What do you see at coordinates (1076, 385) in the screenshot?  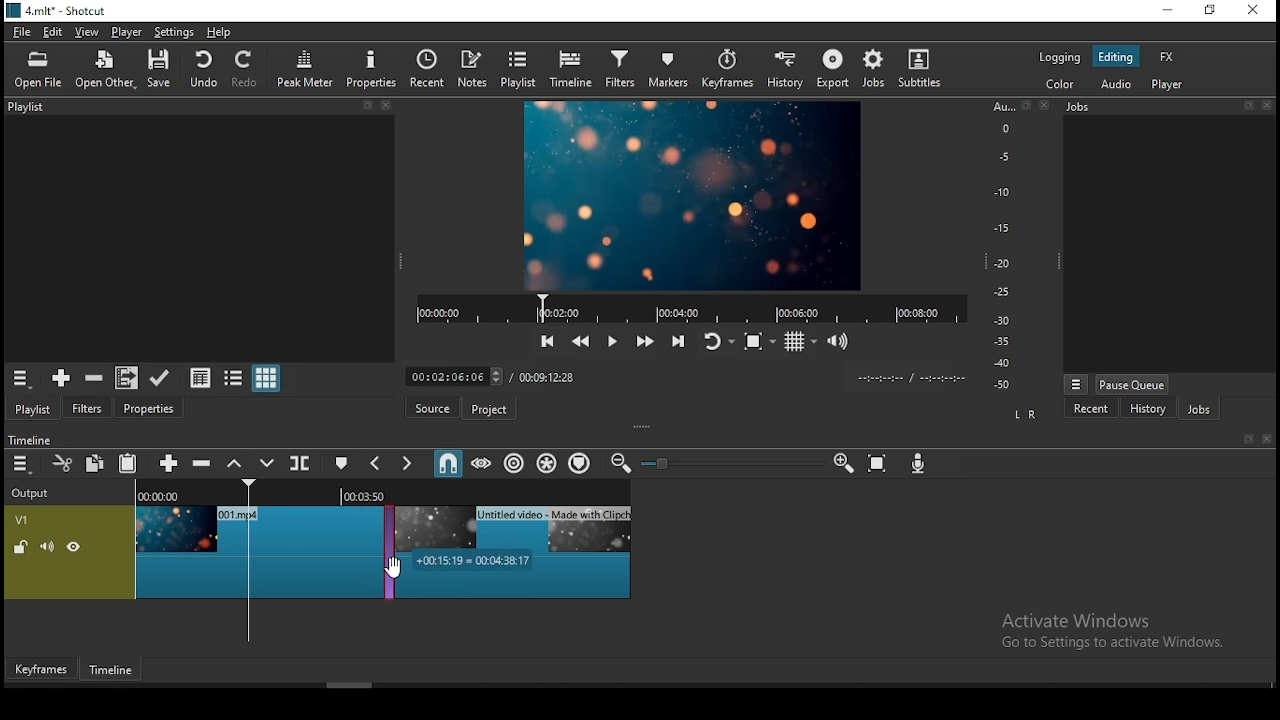 I see `jobs menu` at bounding box center [1076, 385].